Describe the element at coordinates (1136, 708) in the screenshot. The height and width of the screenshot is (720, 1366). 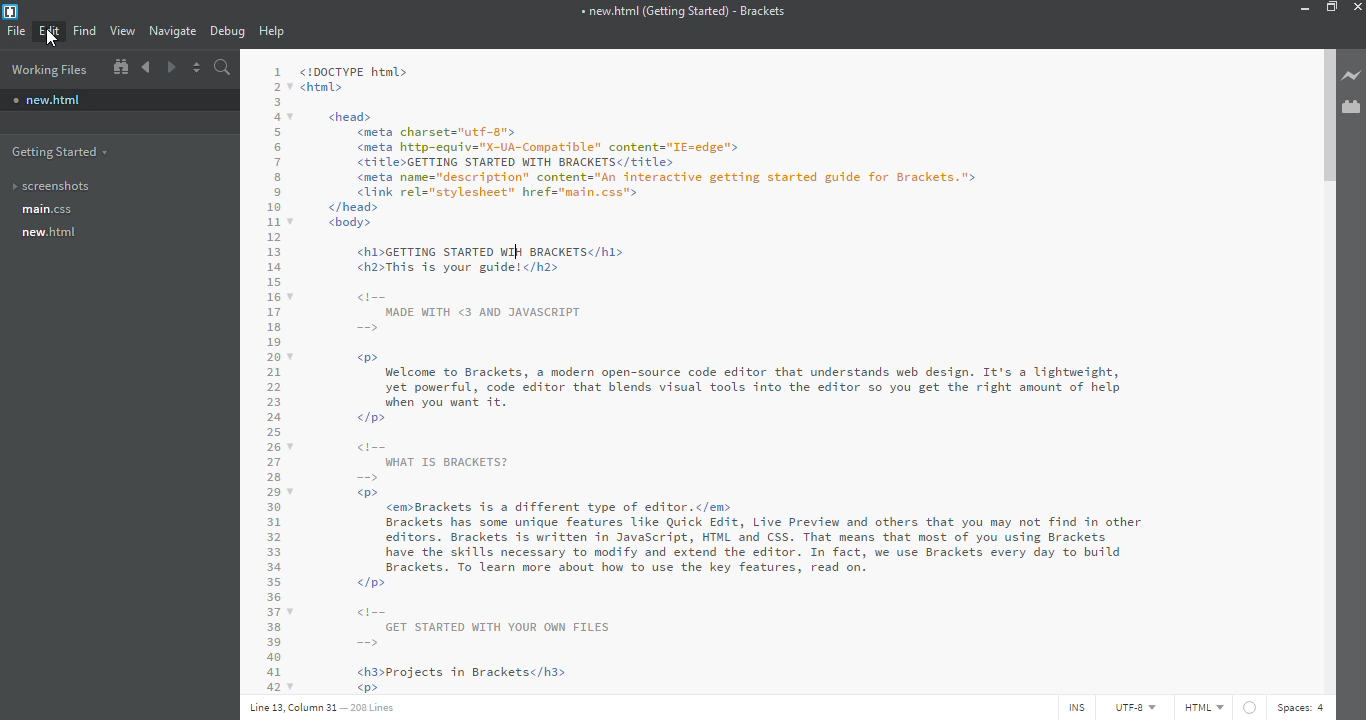
I see `utf-8` at that location.